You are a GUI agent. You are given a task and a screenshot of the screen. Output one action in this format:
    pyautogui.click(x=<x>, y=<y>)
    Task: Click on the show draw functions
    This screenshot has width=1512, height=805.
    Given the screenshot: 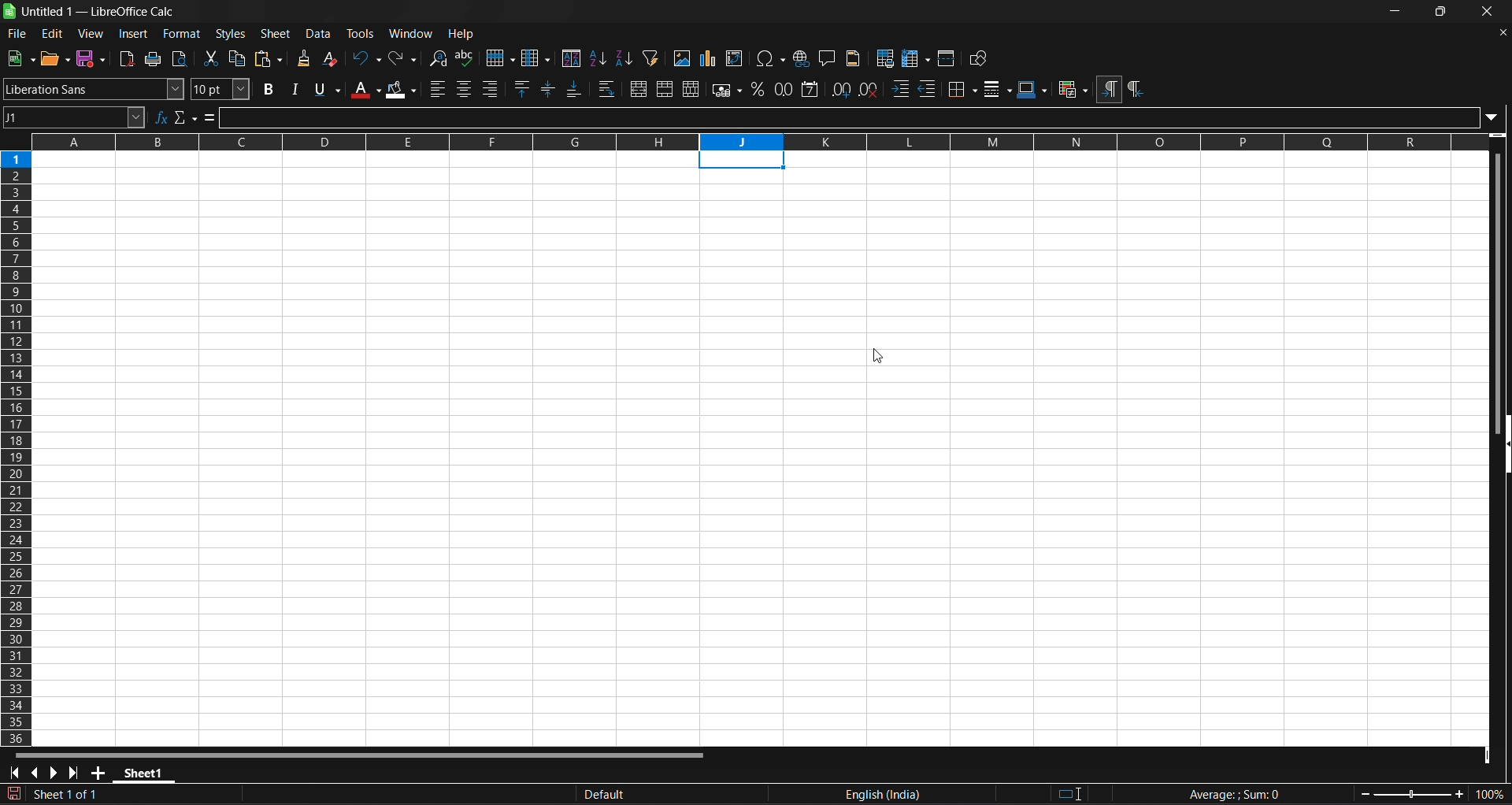 What is the action you would take?
    pyautogui.click(x=980, y=59)
    